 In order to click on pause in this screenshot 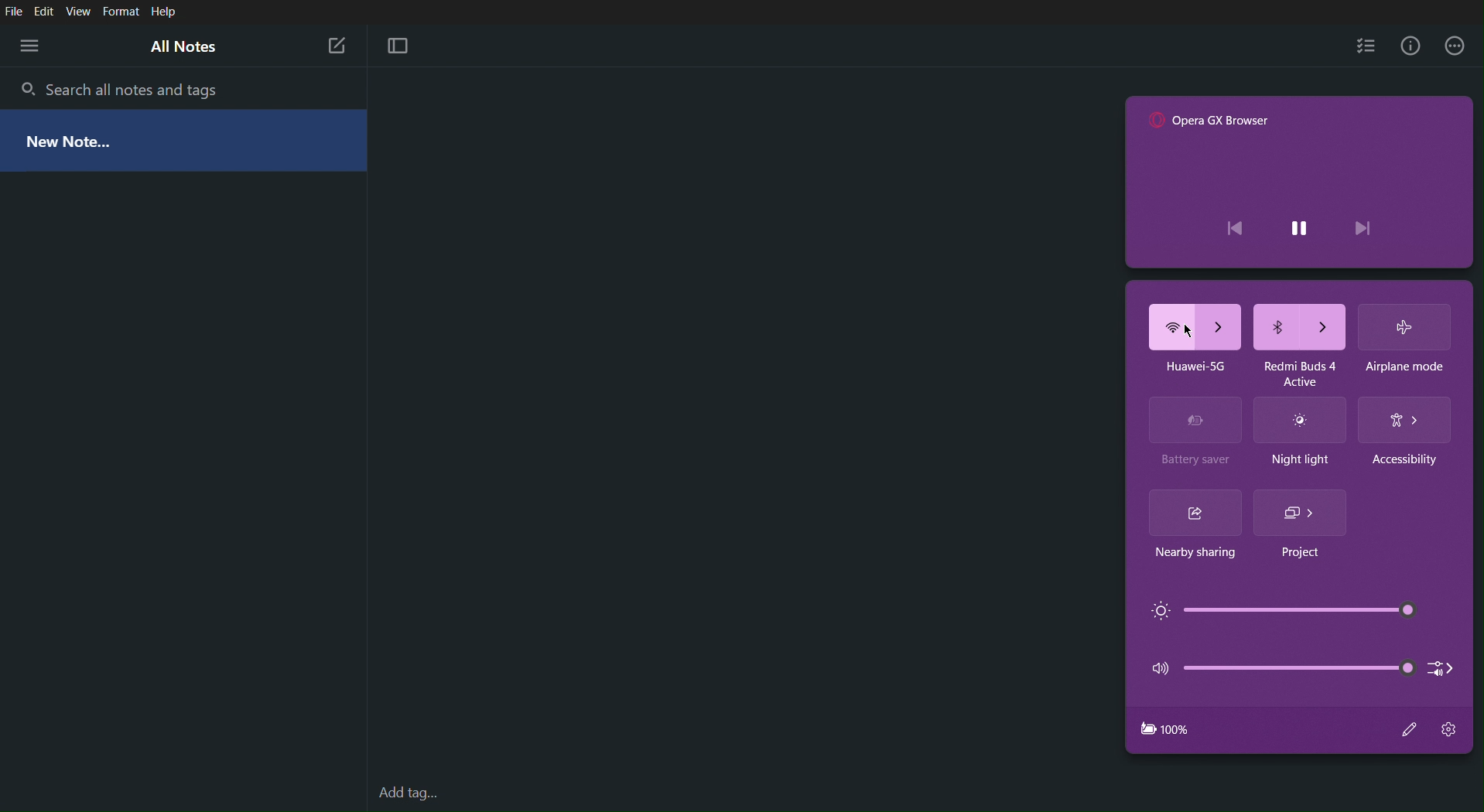, I will do `click(1298, 223)`.